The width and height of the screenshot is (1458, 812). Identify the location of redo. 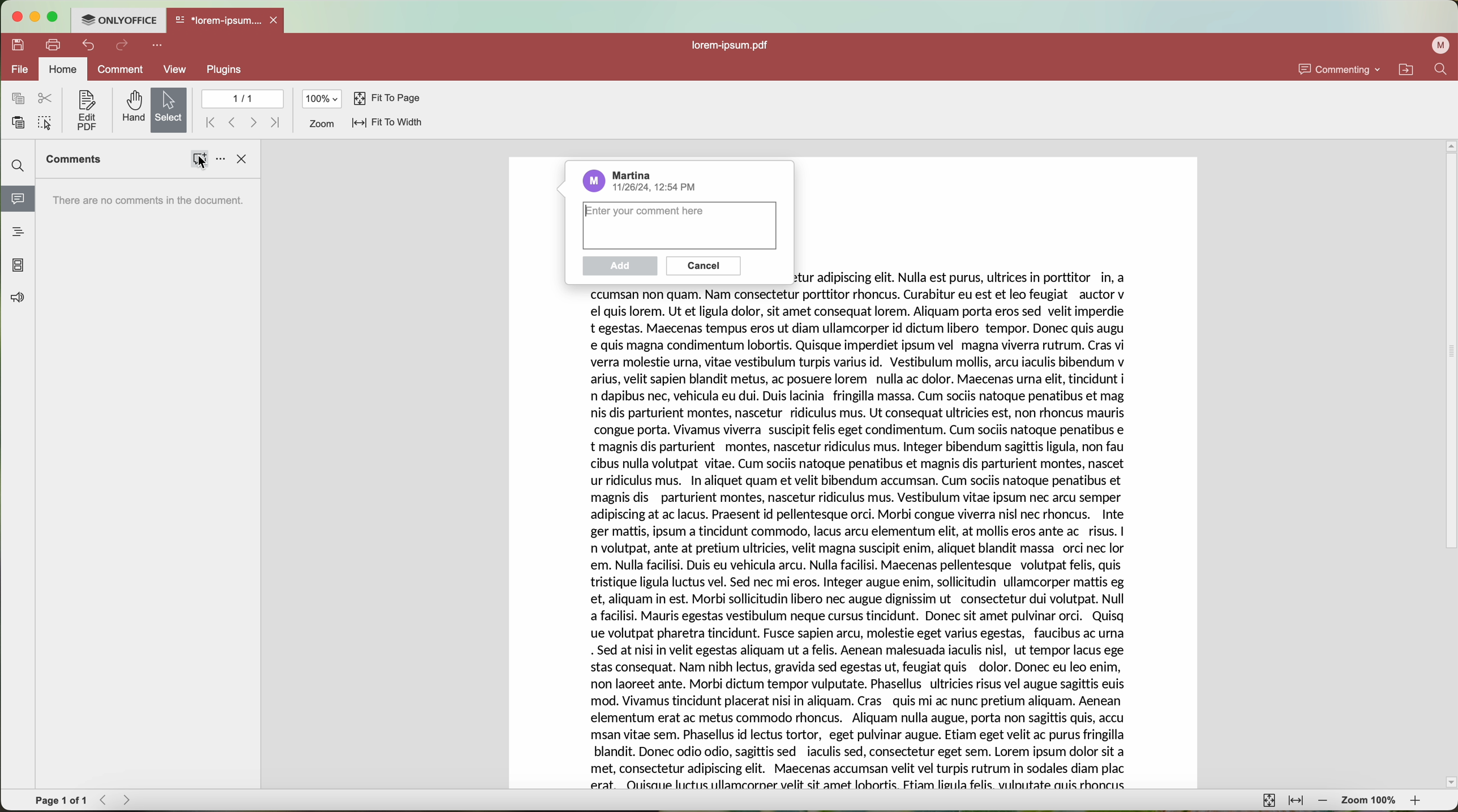
(123, 46).